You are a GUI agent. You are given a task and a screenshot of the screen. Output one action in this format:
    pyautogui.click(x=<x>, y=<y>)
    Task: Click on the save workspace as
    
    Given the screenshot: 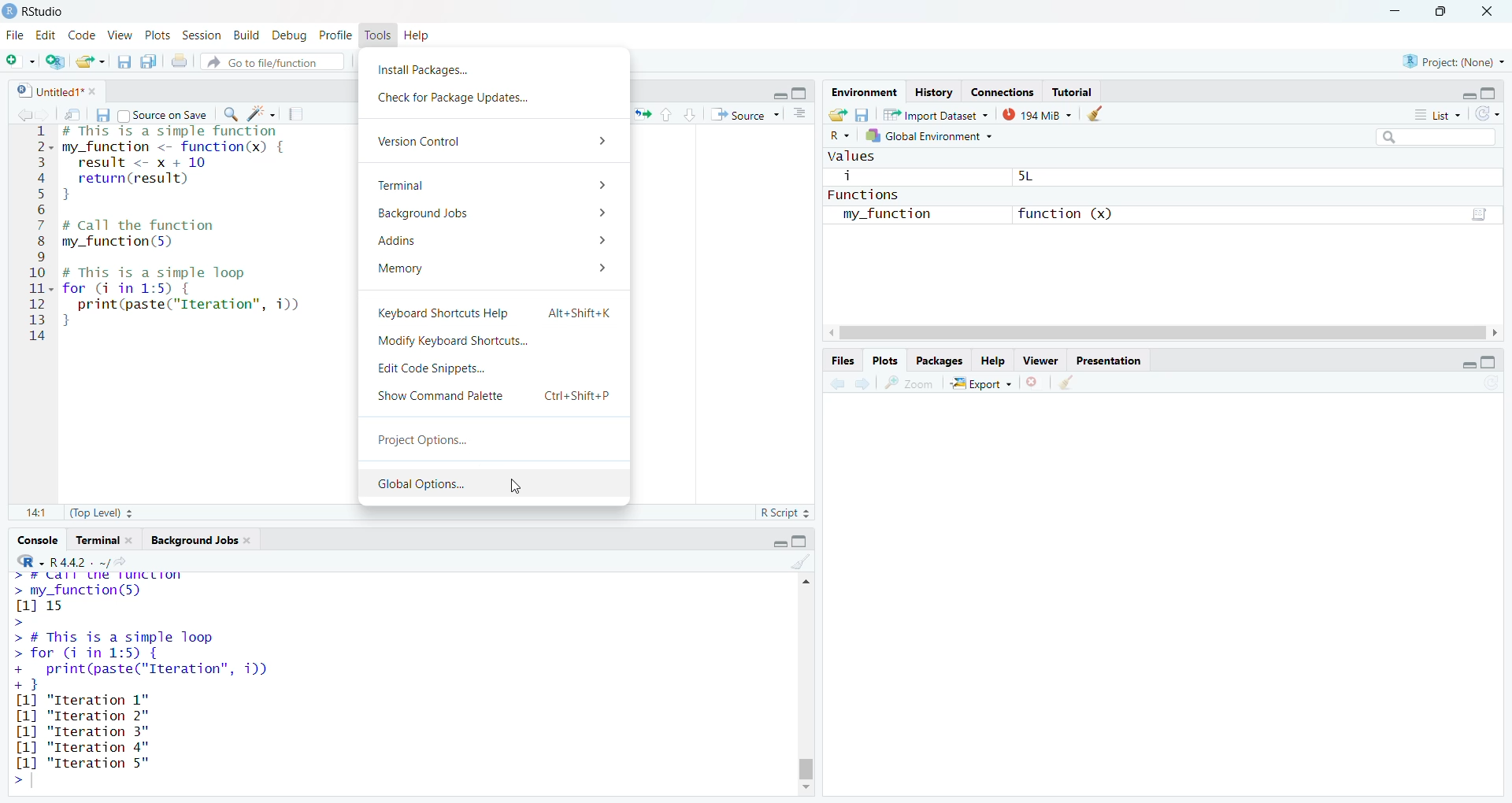 What is the action you would take?
    pyautogui.click(x=863, y=116)
    